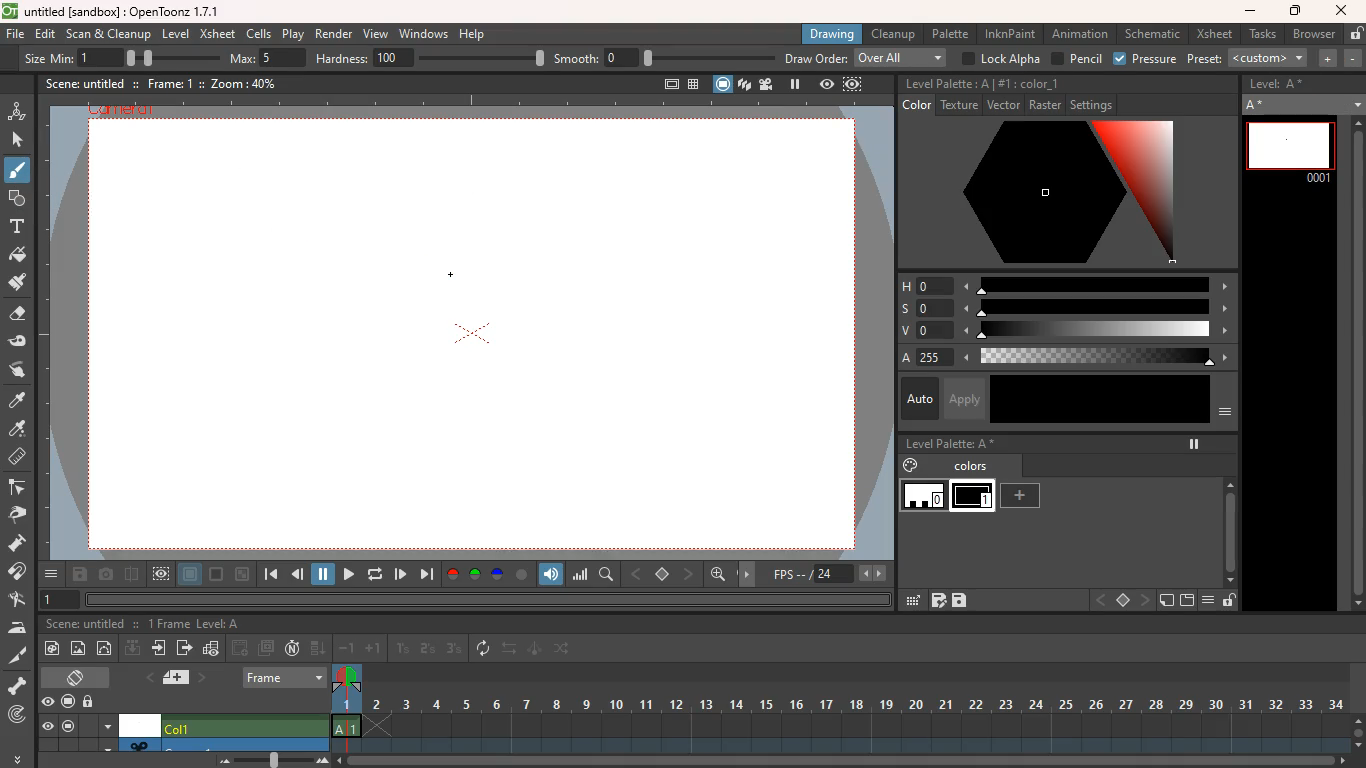 The image size is (1366, 768). Describe the element at coordinates (1145, 59) in the screenshot. I see `pressure` at that location.